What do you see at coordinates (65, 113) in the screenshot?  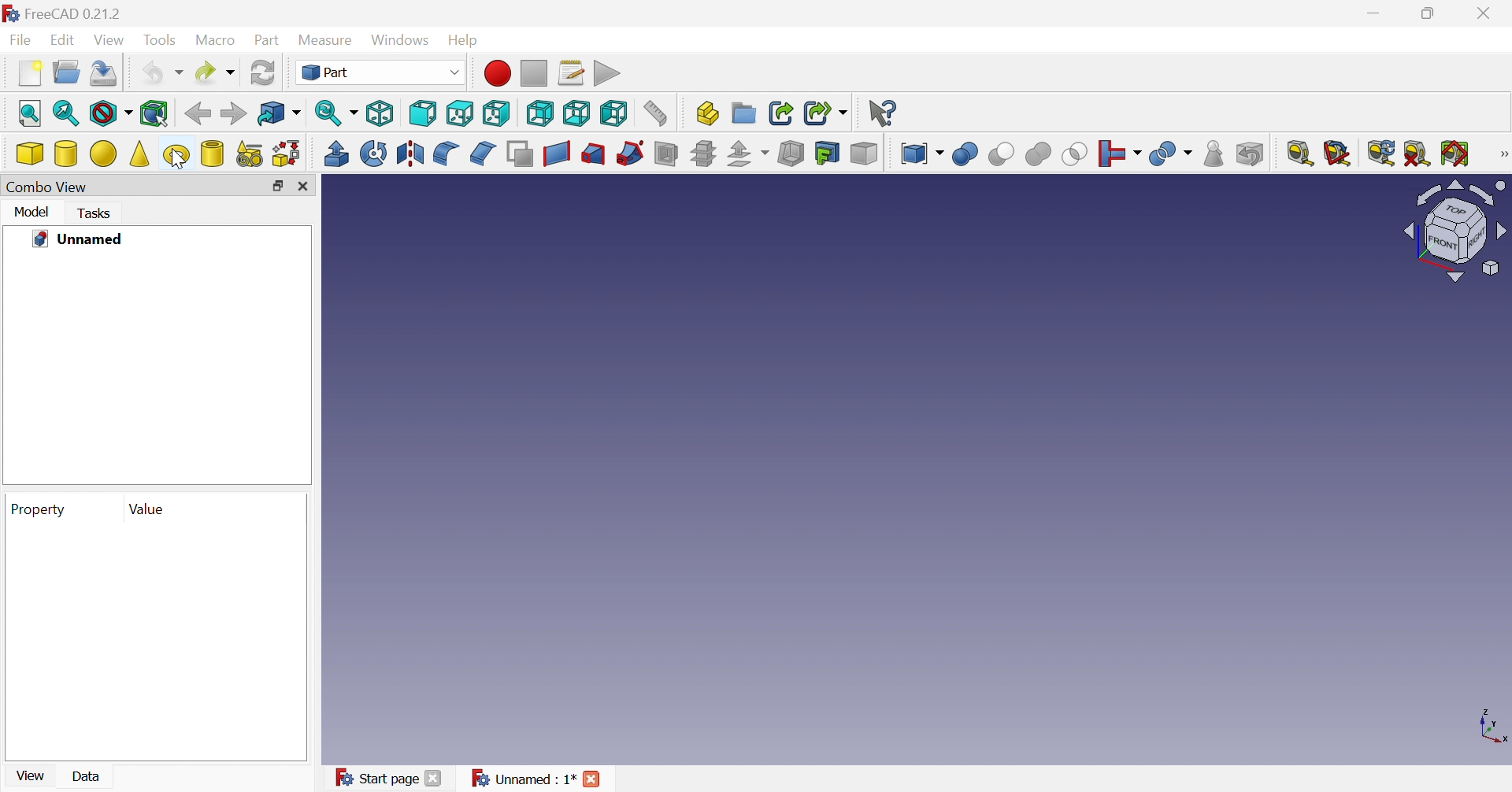 I see `Fit selection` at bounding box center [65, 113].